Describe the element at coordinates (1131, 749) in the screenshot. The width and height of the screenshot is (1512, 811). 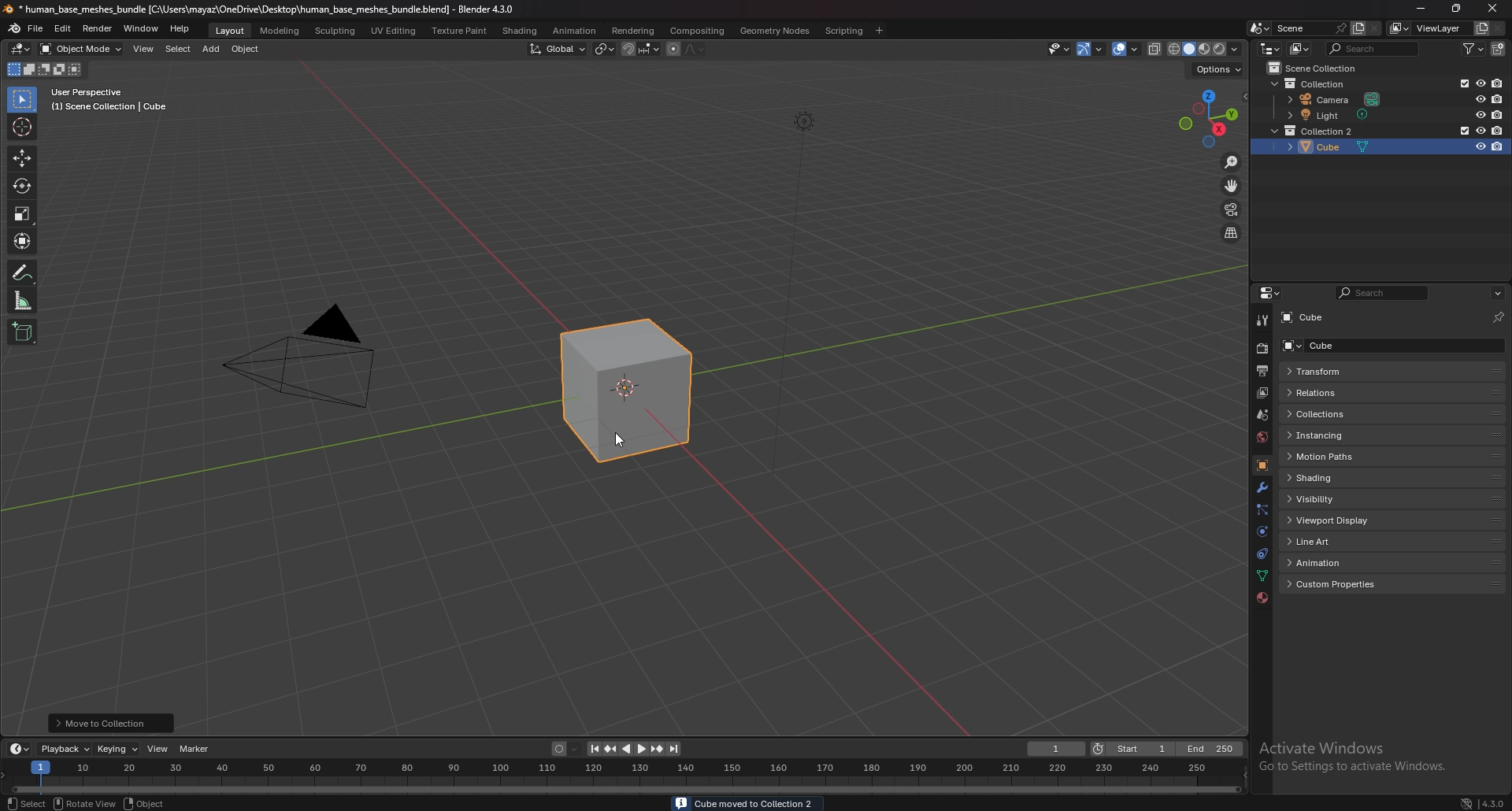
I see `start` at that location.